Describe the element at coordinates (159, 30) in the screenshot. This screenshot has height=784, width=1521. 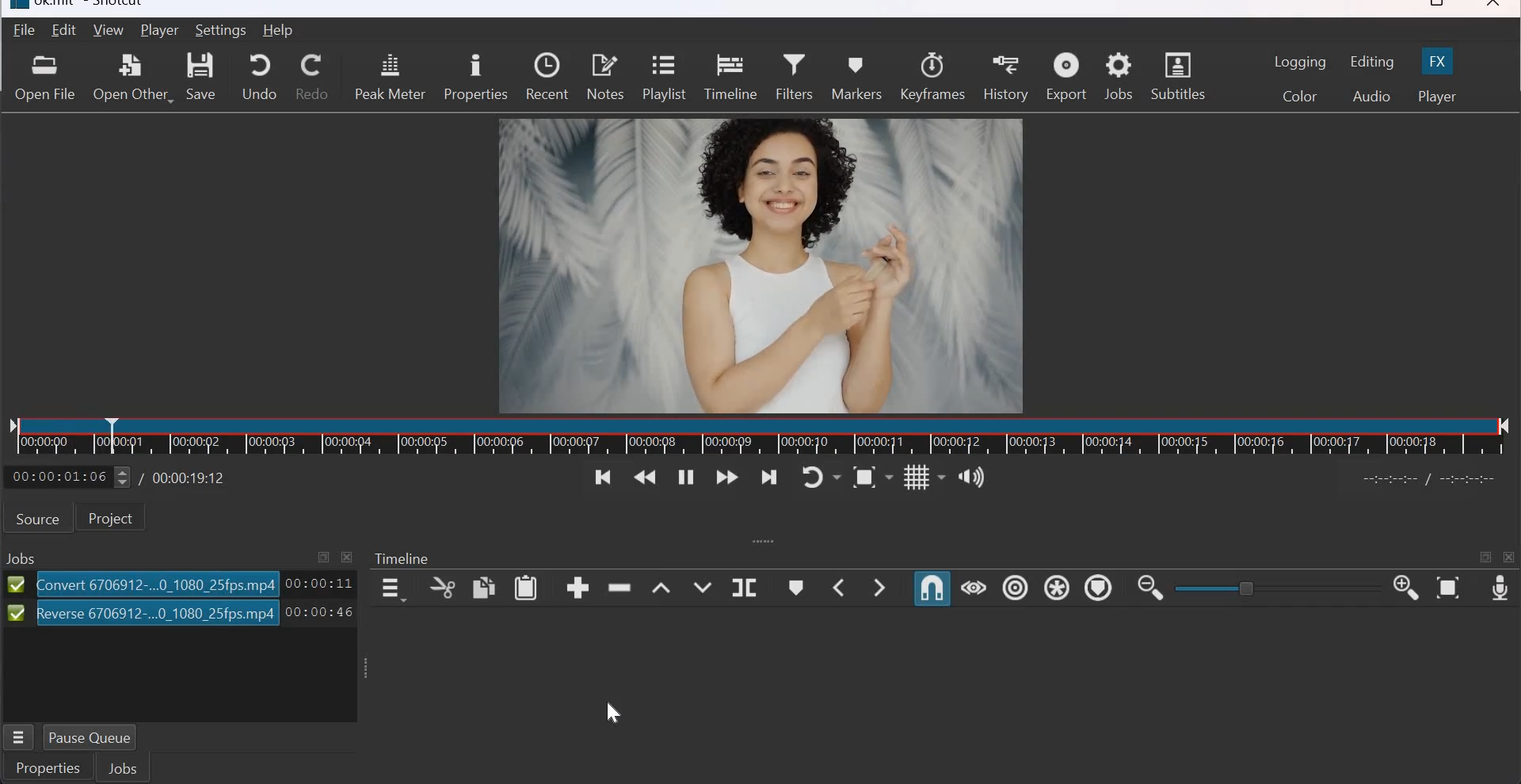
I see `Player` at that location.